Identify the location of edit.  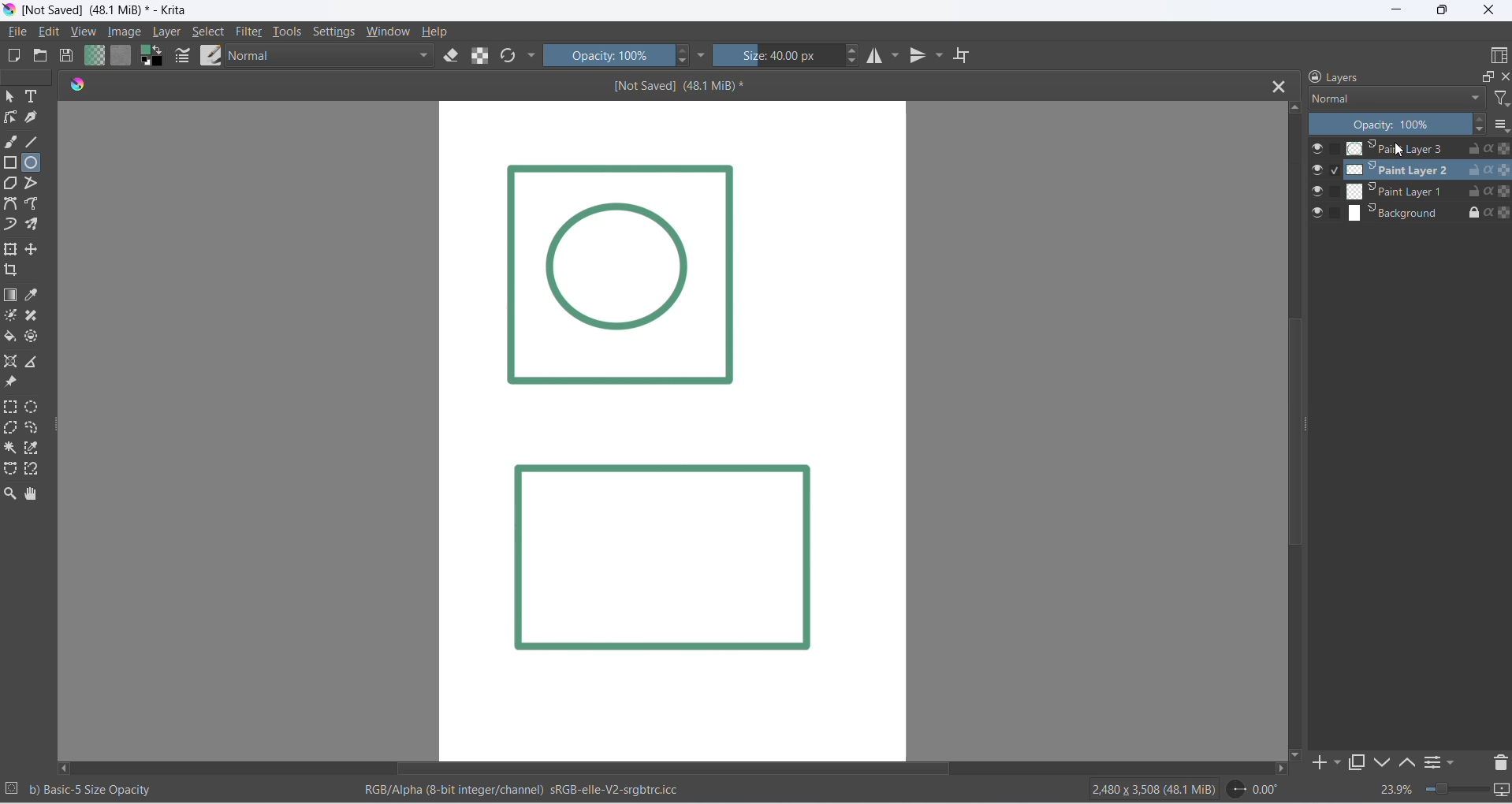
(48, 32).